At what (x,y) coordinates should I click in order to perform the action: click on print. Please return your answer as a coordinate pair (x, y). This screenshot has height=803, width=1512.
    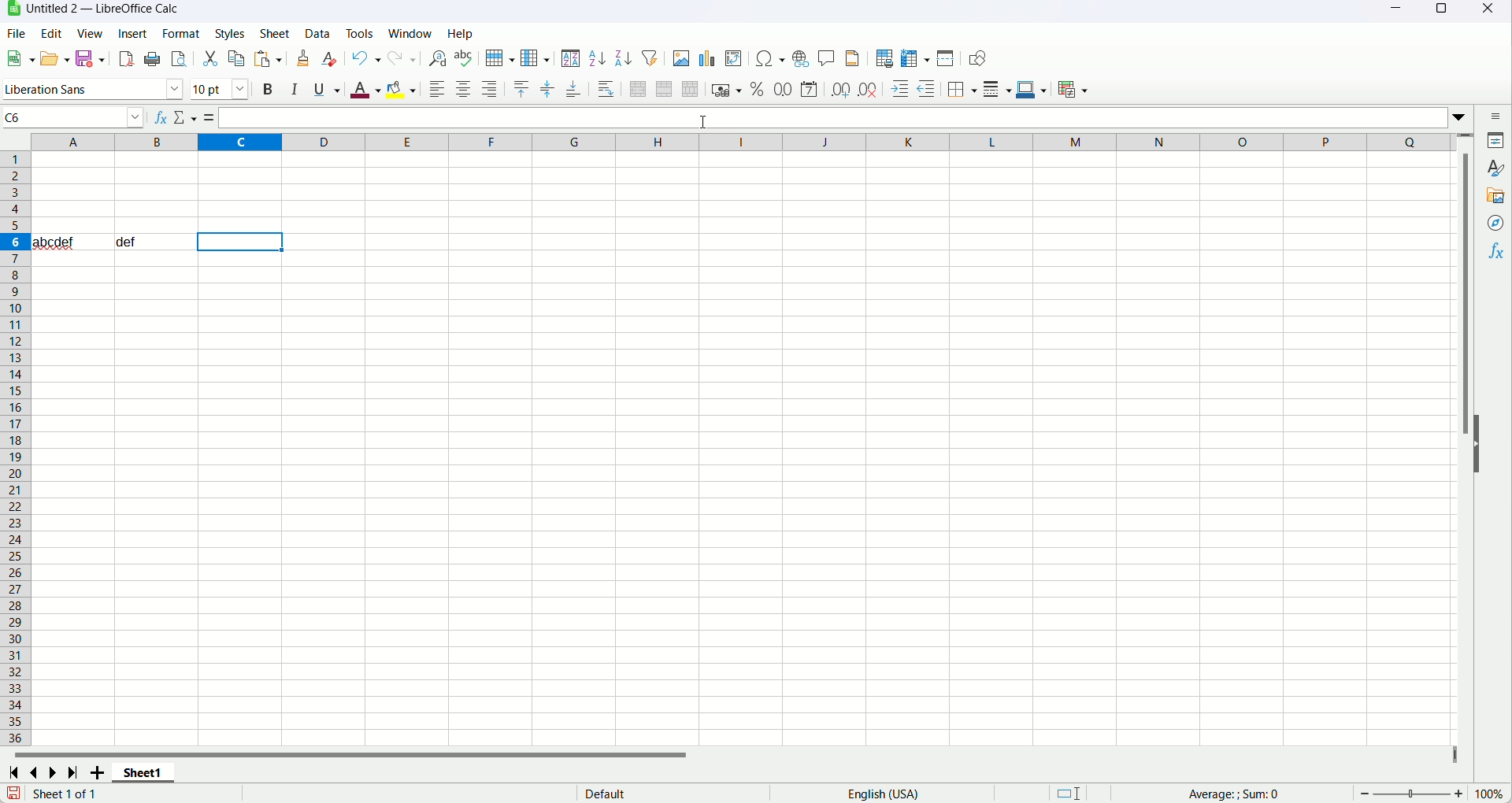
    Looking at the image, I should click on (153, 58).